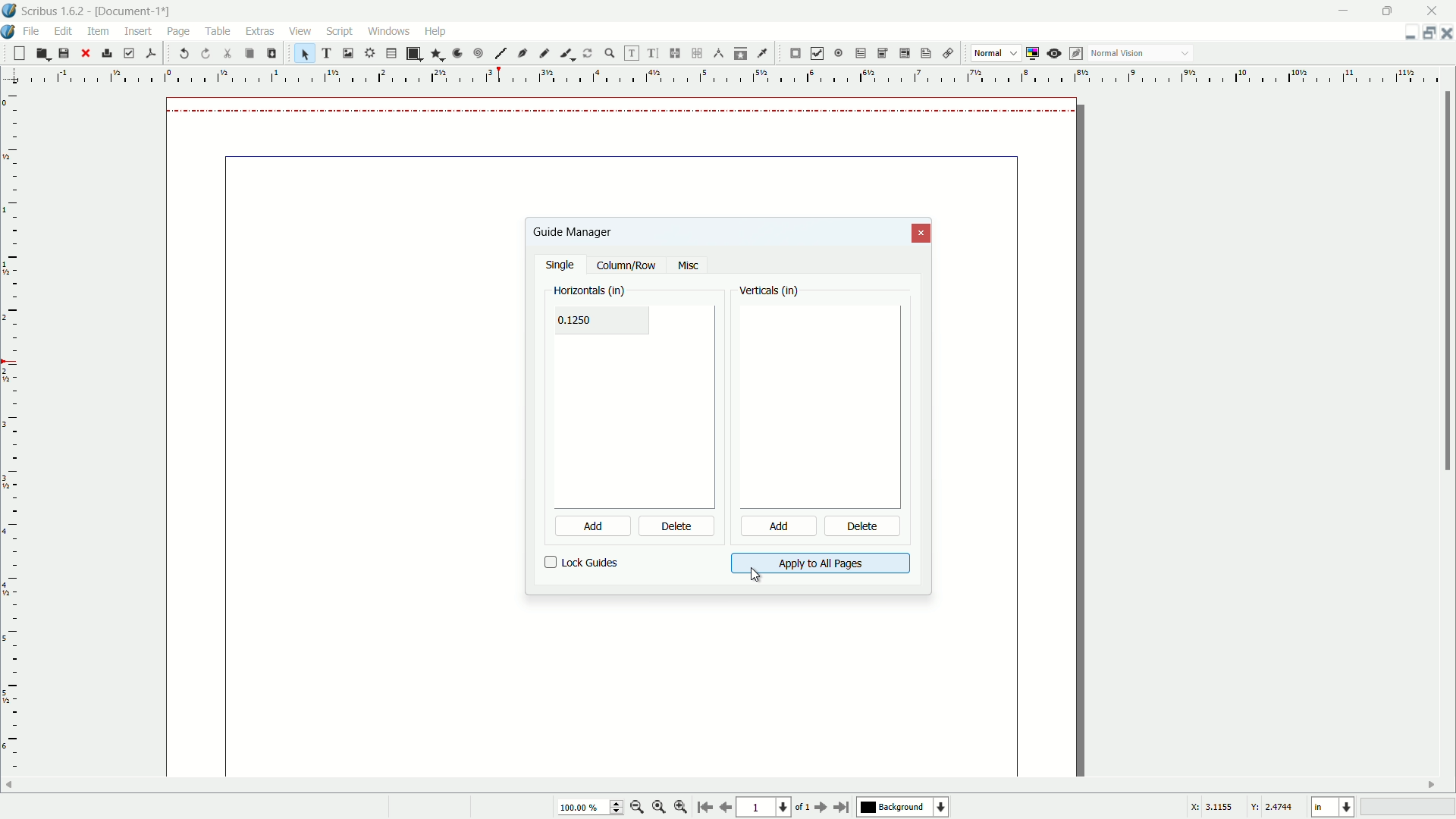 The width and height of the screenshot is (1456, 819). I want to click on lock guides, so click(582, 563).